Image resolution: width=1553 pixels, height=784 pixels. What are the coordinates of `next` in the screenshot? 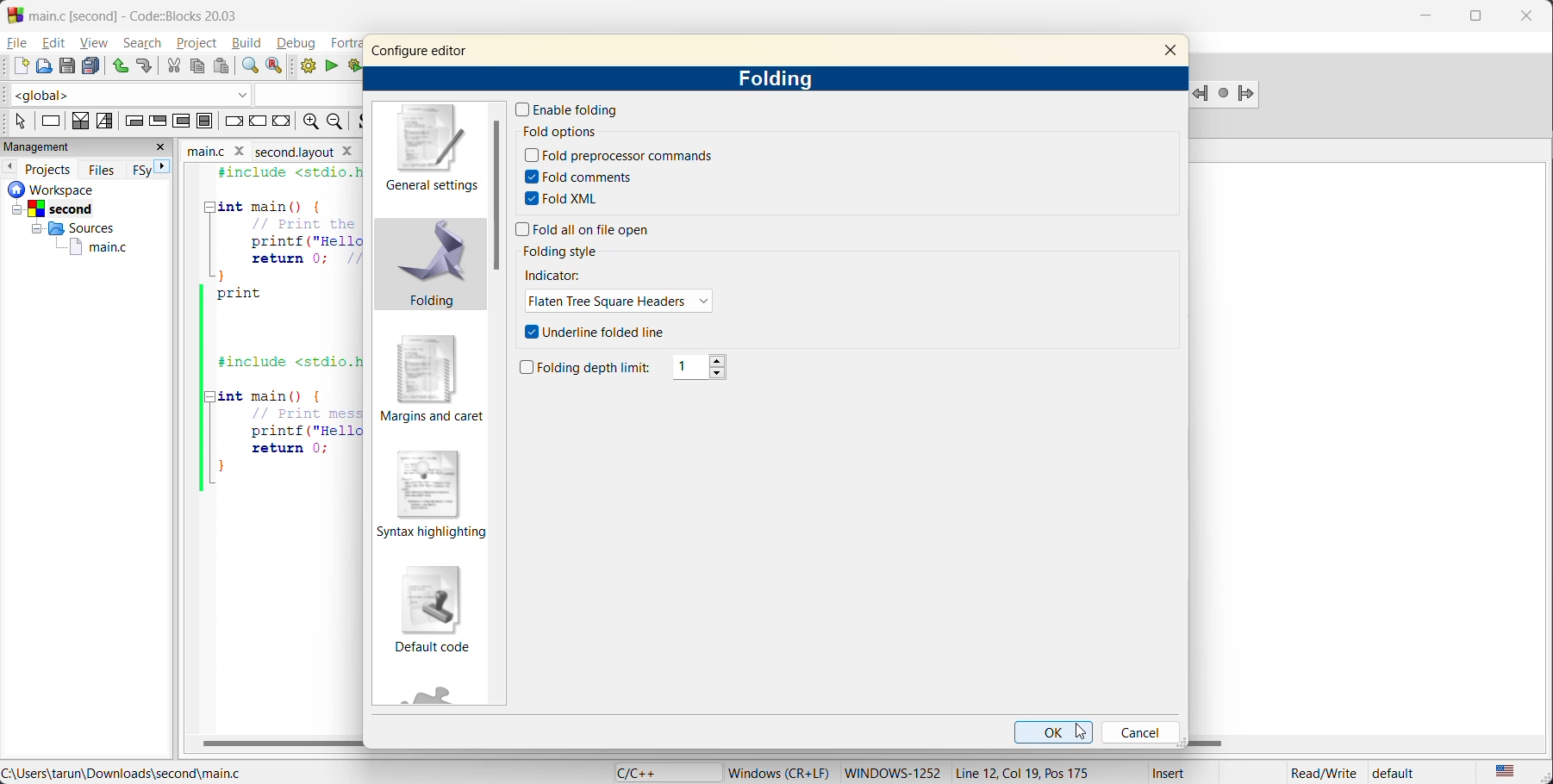 It's located at (164, 167).